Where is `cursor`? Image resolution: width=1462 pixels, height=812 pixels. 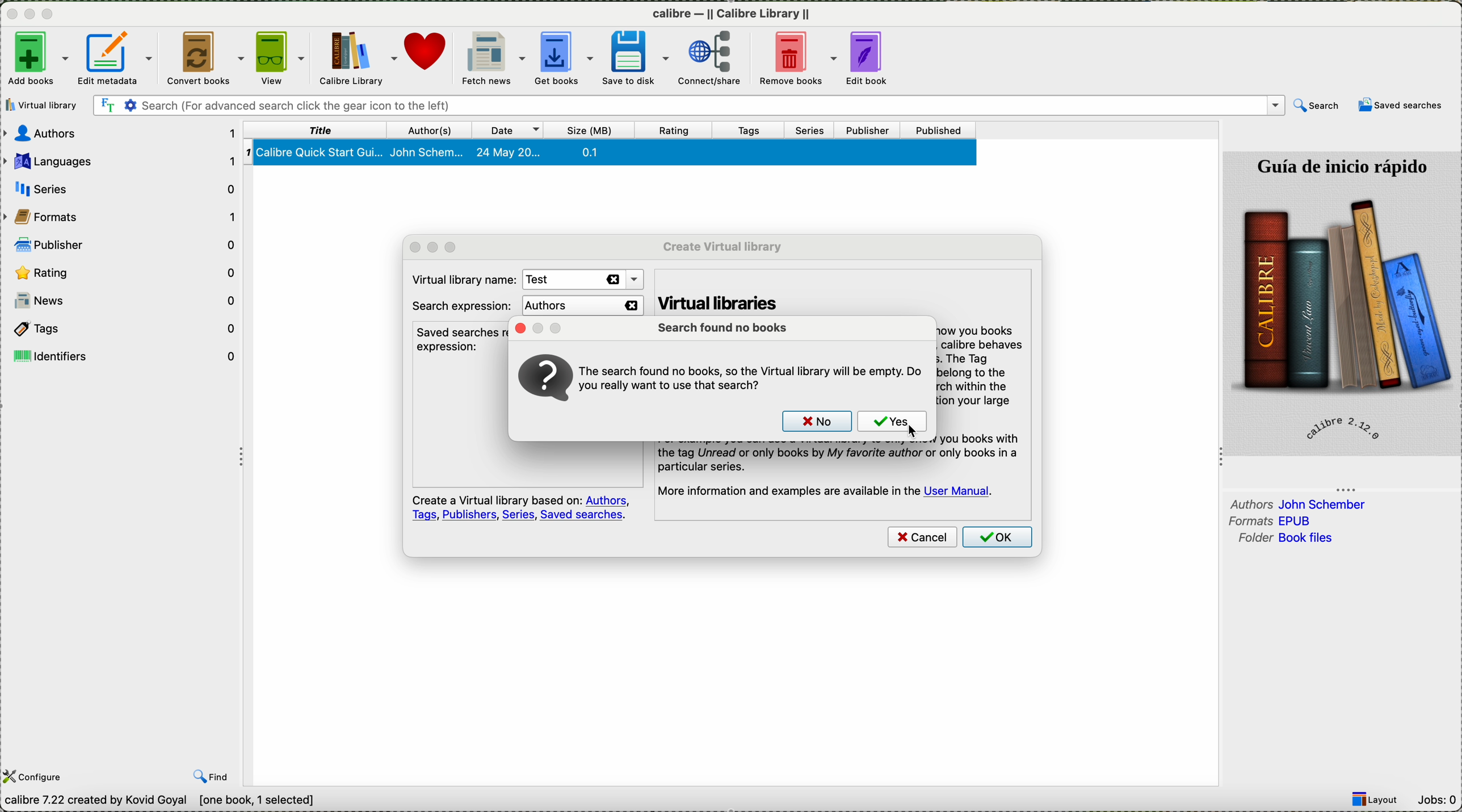 cursor is located at coordinates (911, 422).